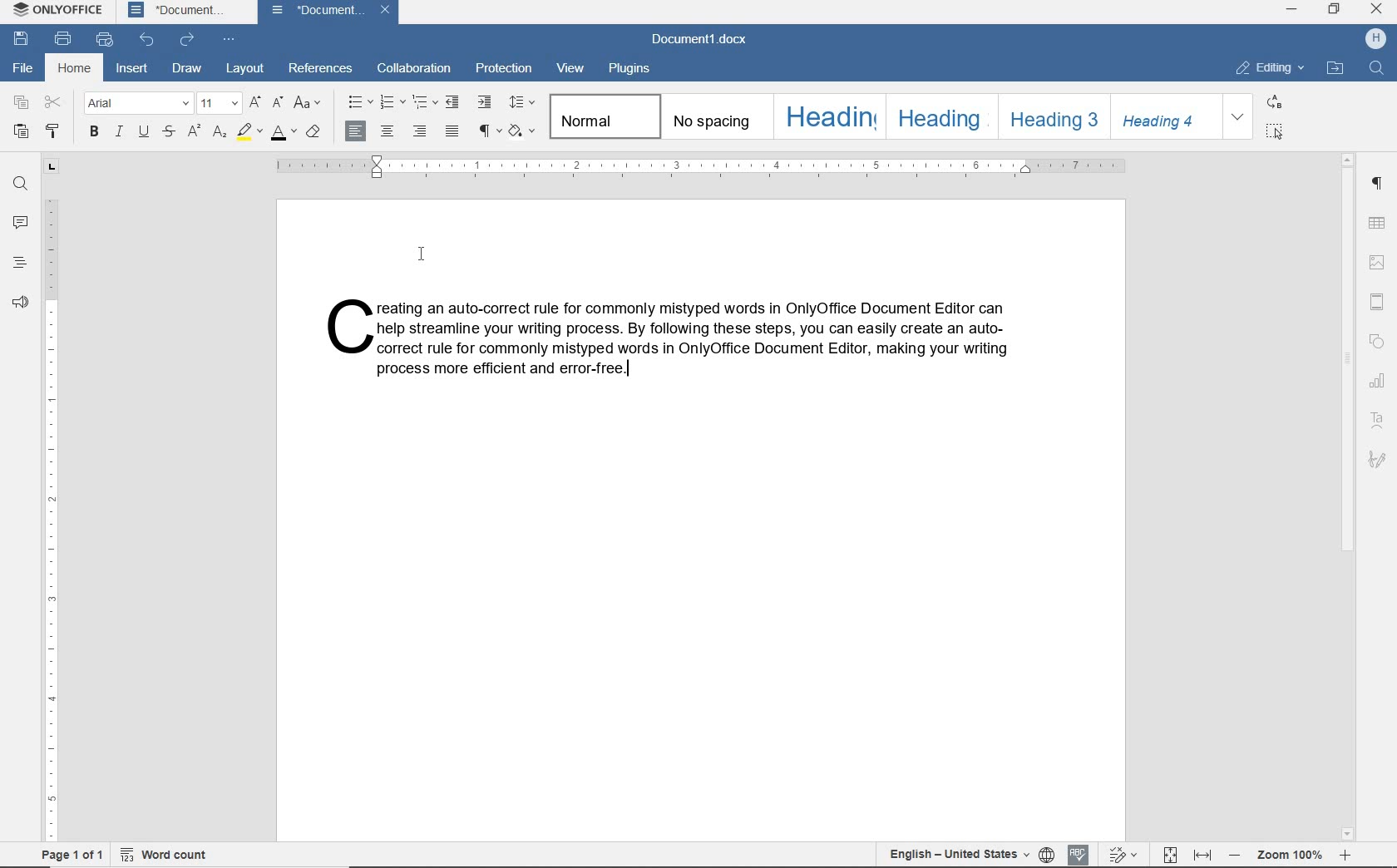 The height and width of the screenshot is (868, 1397). I want to click on QUICK PRINT, so click(105, 37).